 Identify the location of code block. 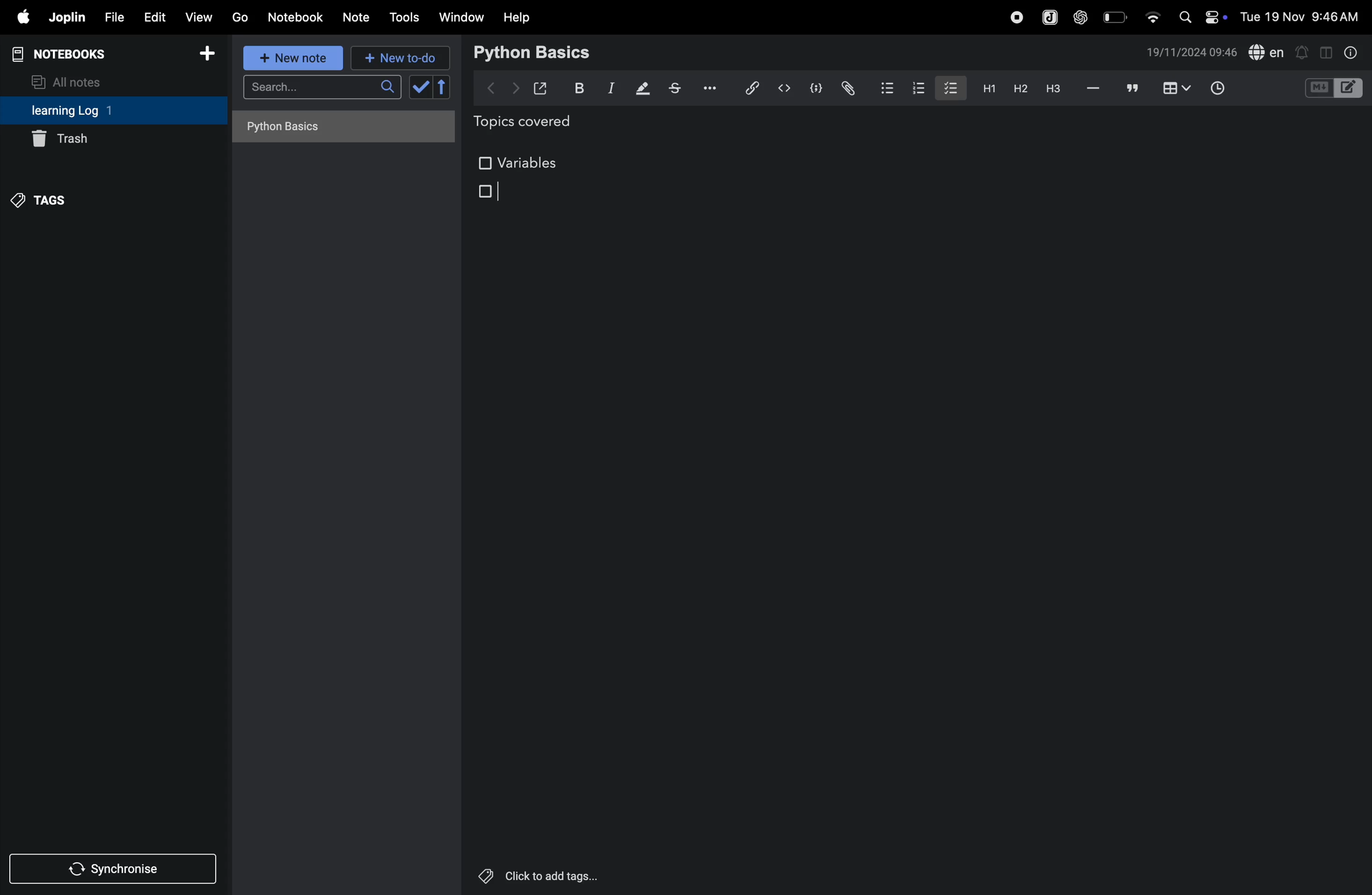
(814, 89).